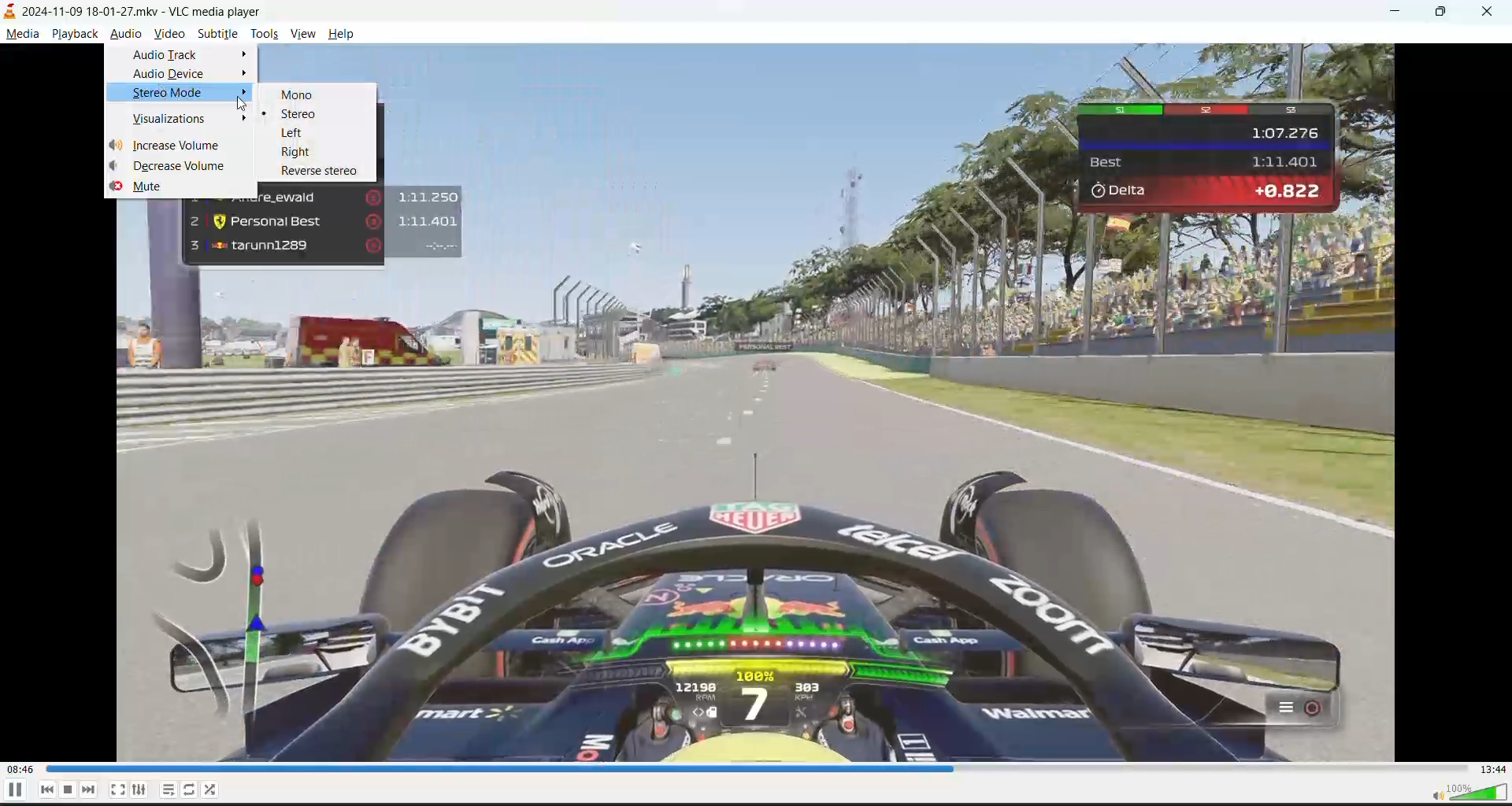  Describe the element at coordinates (1445, 11) in the screenshot. I see `maximize` at that location.